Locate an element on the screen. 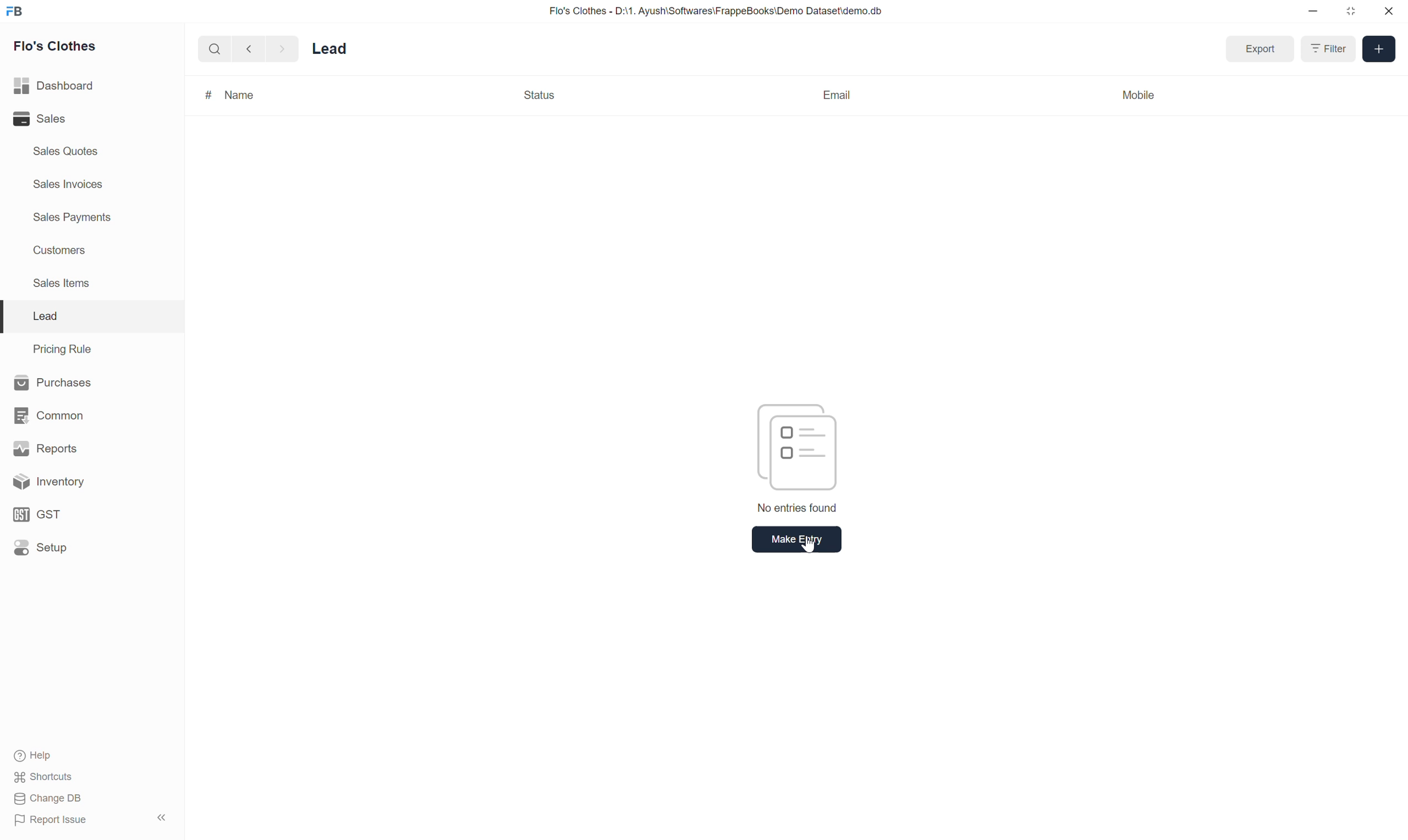  Make entry is located at coordinates (790, 539).